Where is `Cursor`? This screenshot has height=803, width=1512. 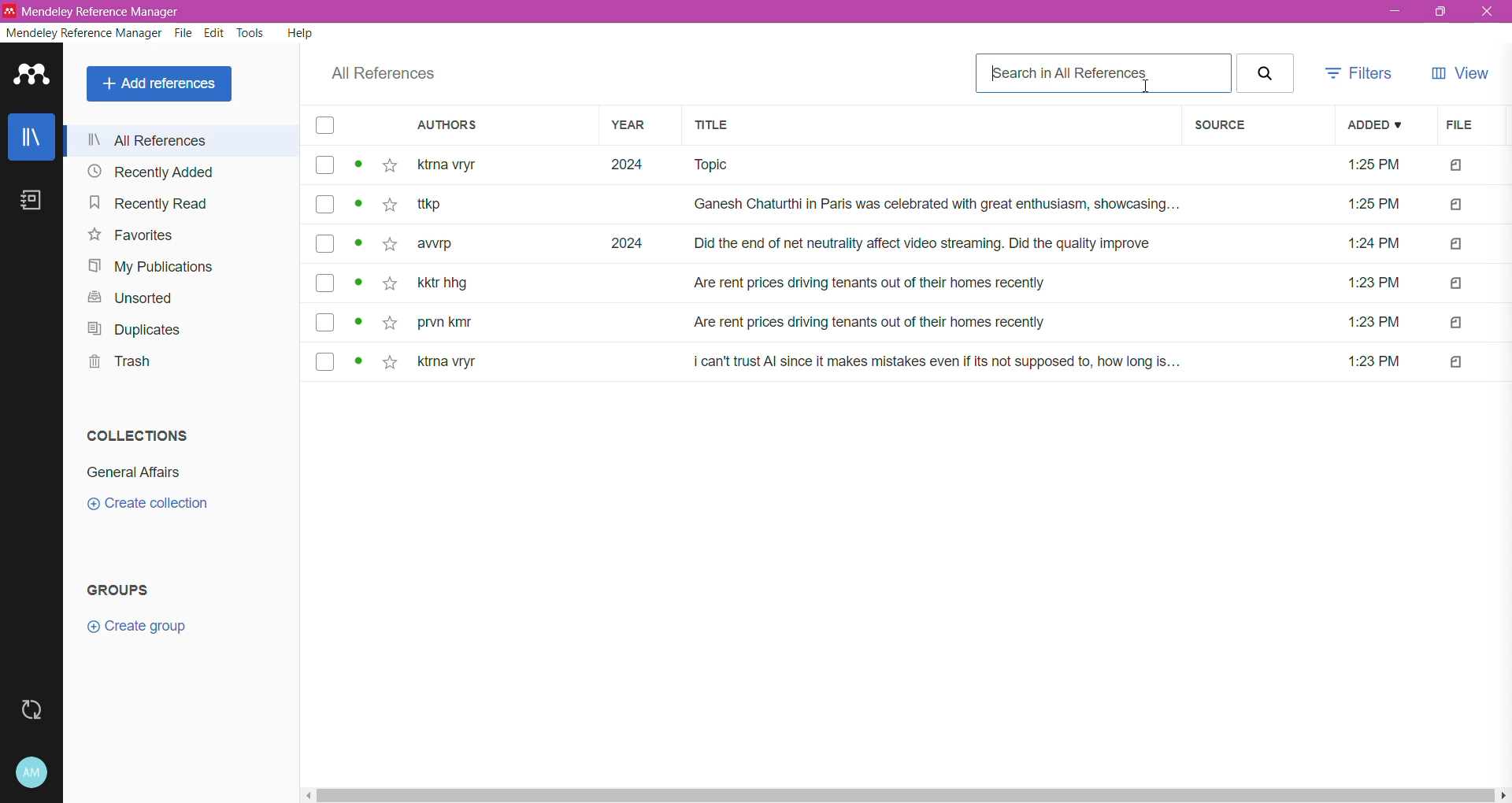 Cursor is located at coordinates (1149, 87).